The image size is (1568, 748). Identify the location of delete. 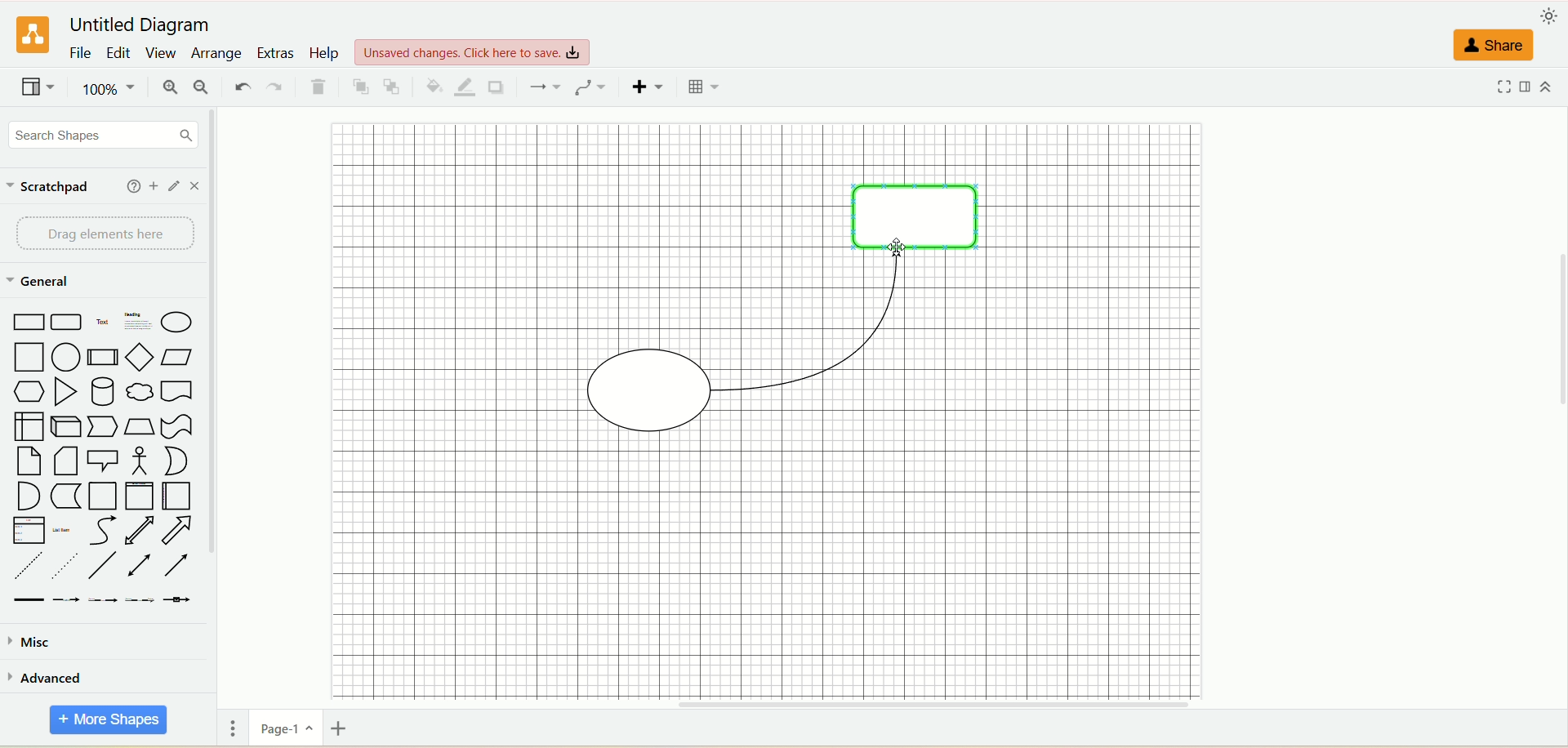
(320, 88).